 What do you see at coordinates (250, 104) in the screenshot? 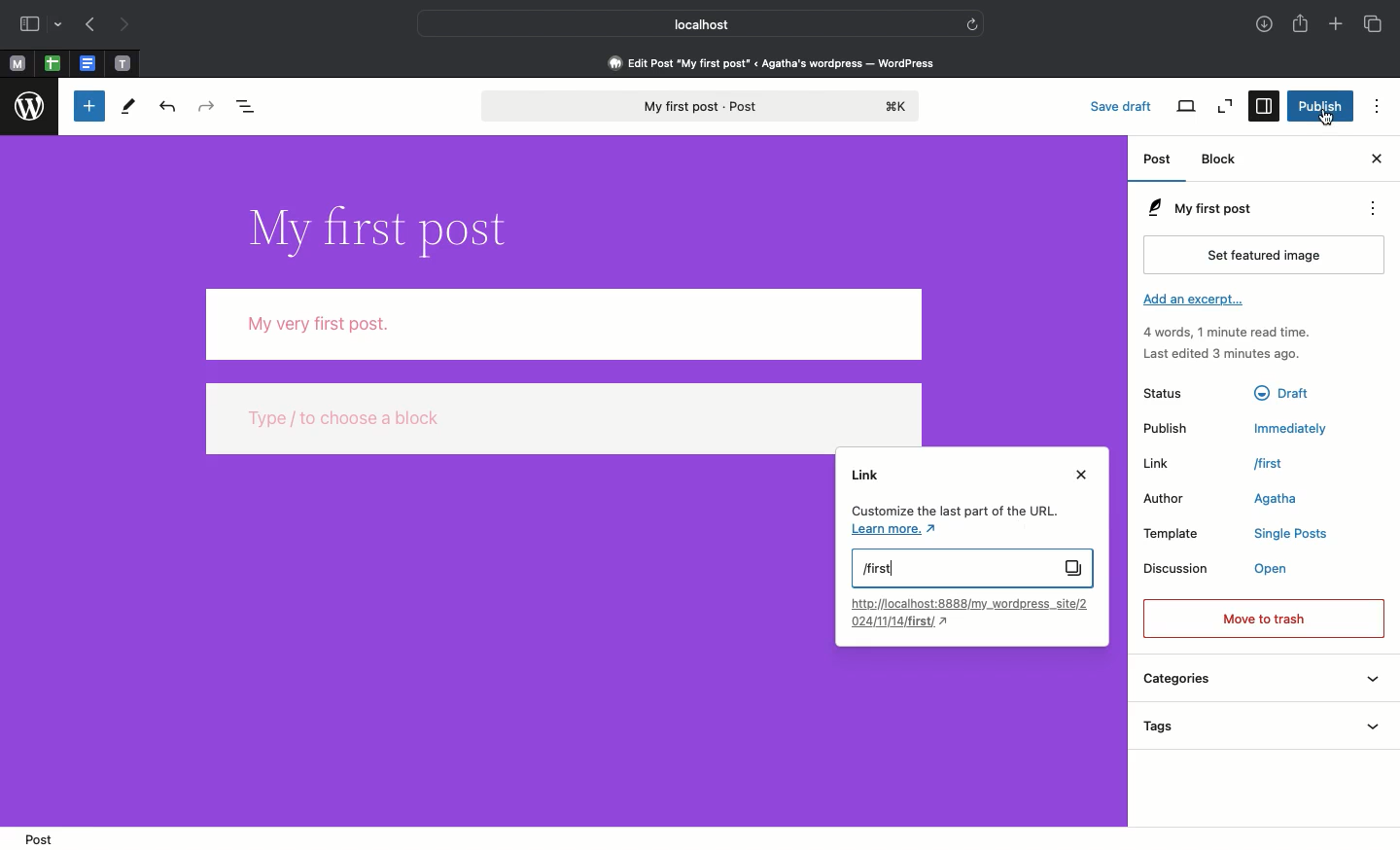
I see `Document overview` at bounding box center [250, 104].